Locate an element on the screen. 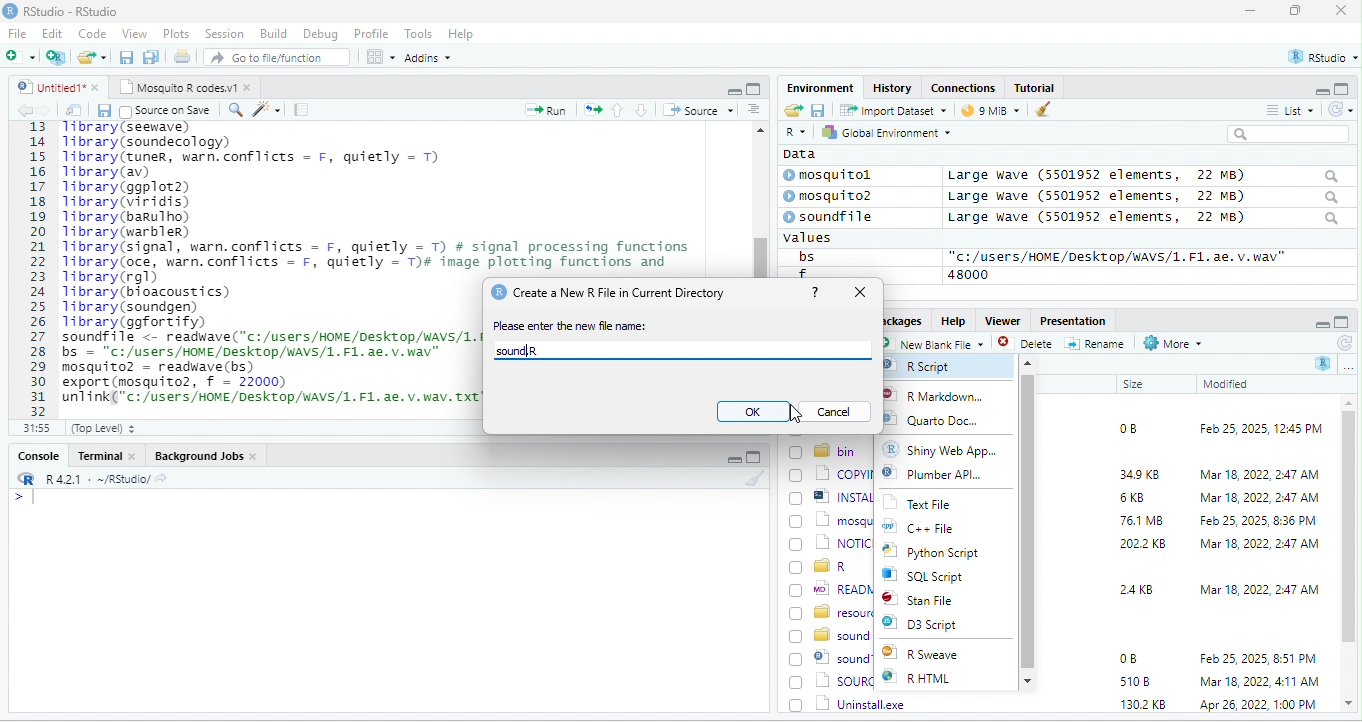 The image size is (1362, 722). | R Markdown. is located at coordinates (940, 396).